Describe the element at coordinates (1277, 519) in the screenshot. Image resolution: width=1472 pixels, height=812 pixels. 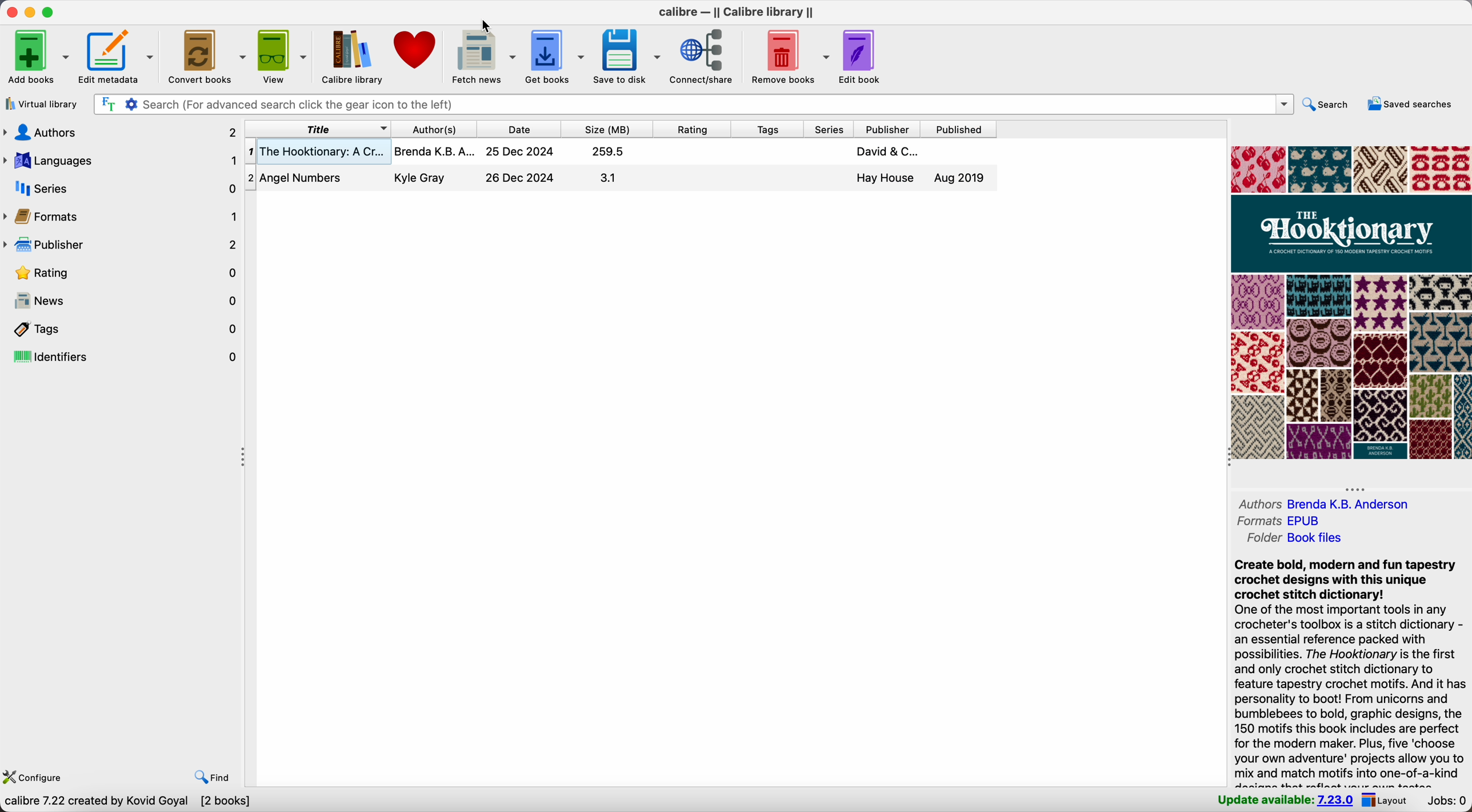
I see `formats` at that location.